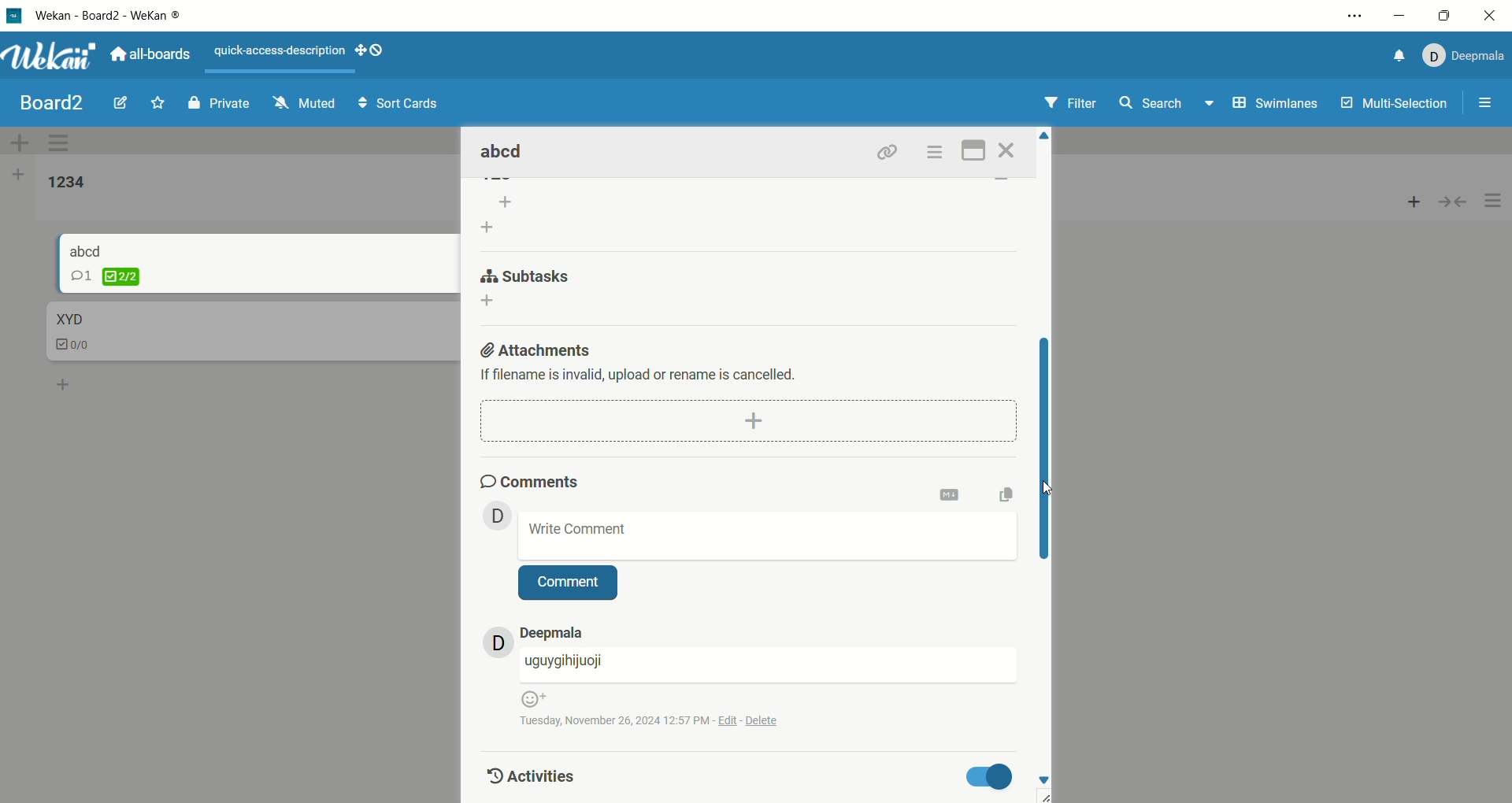 The image size is (1512, 803). What do you see at coordinates (65, 382) in the screenshot?
I see `add` at bounding box center [65, 382].